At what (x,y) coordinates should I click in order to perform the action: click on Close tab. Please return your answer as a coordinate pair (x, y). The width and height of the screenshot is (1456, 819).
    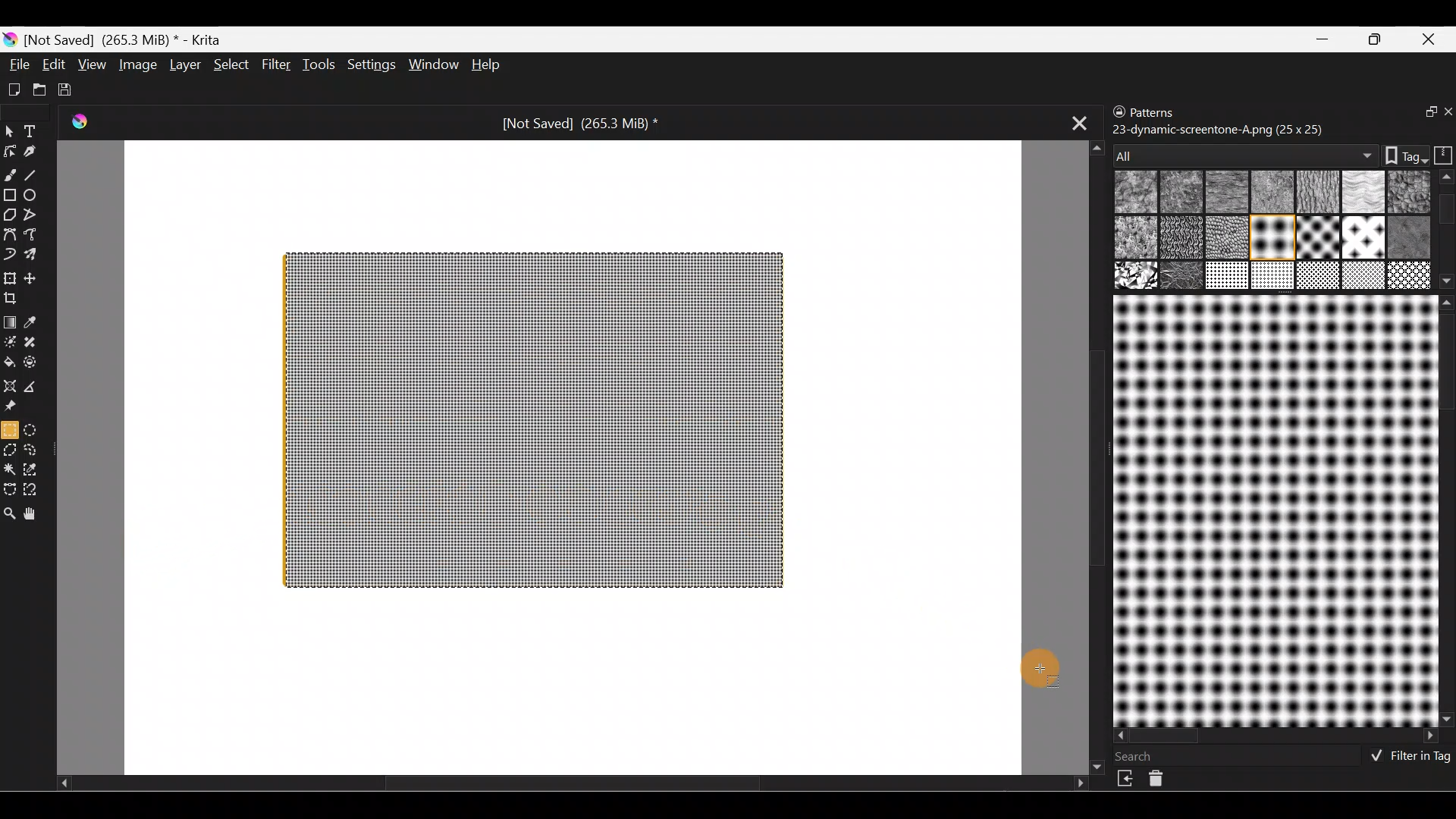
    Looking at the image, I should click on (1073, 124).